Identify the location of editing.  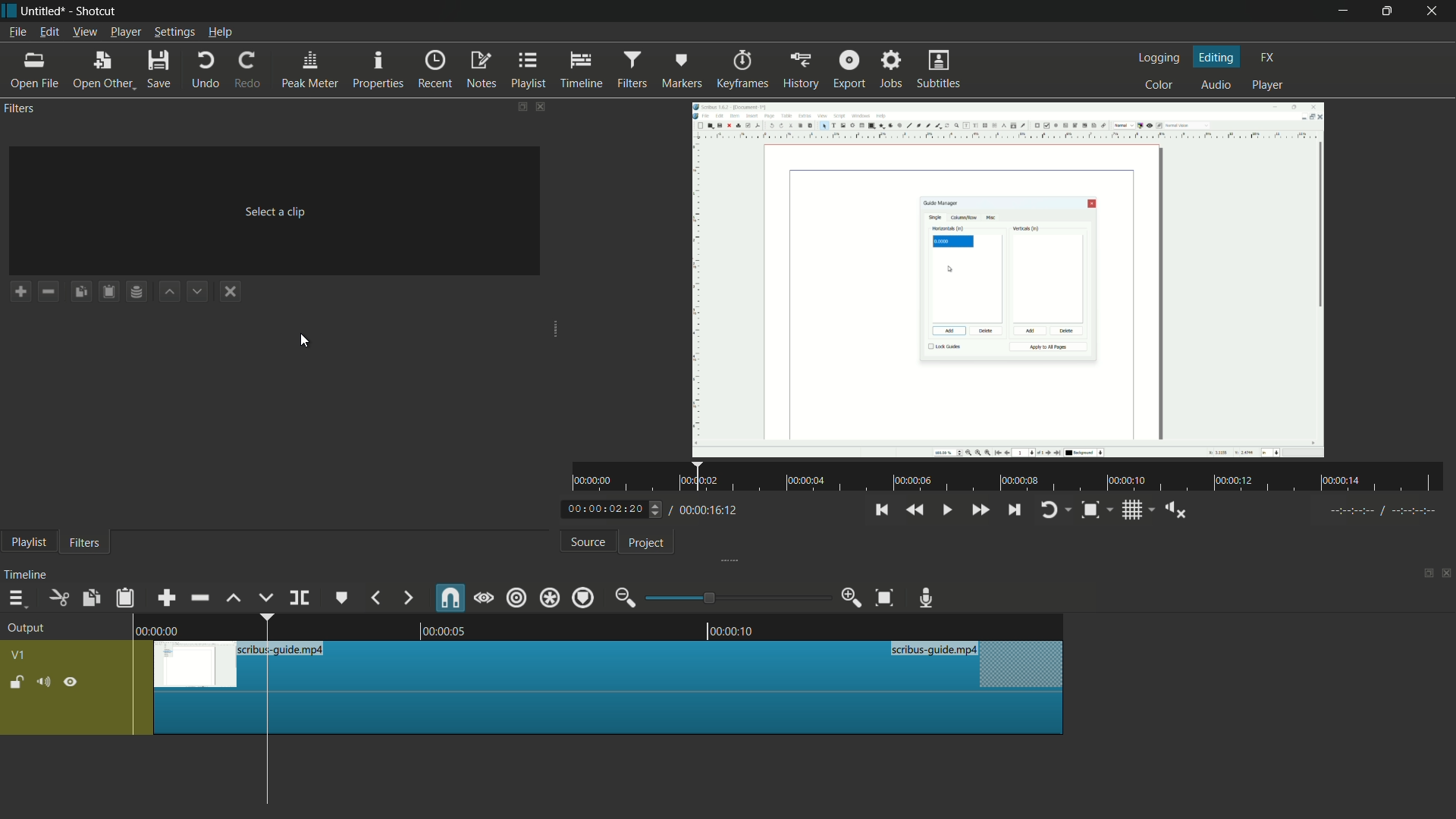
(1218, 56).